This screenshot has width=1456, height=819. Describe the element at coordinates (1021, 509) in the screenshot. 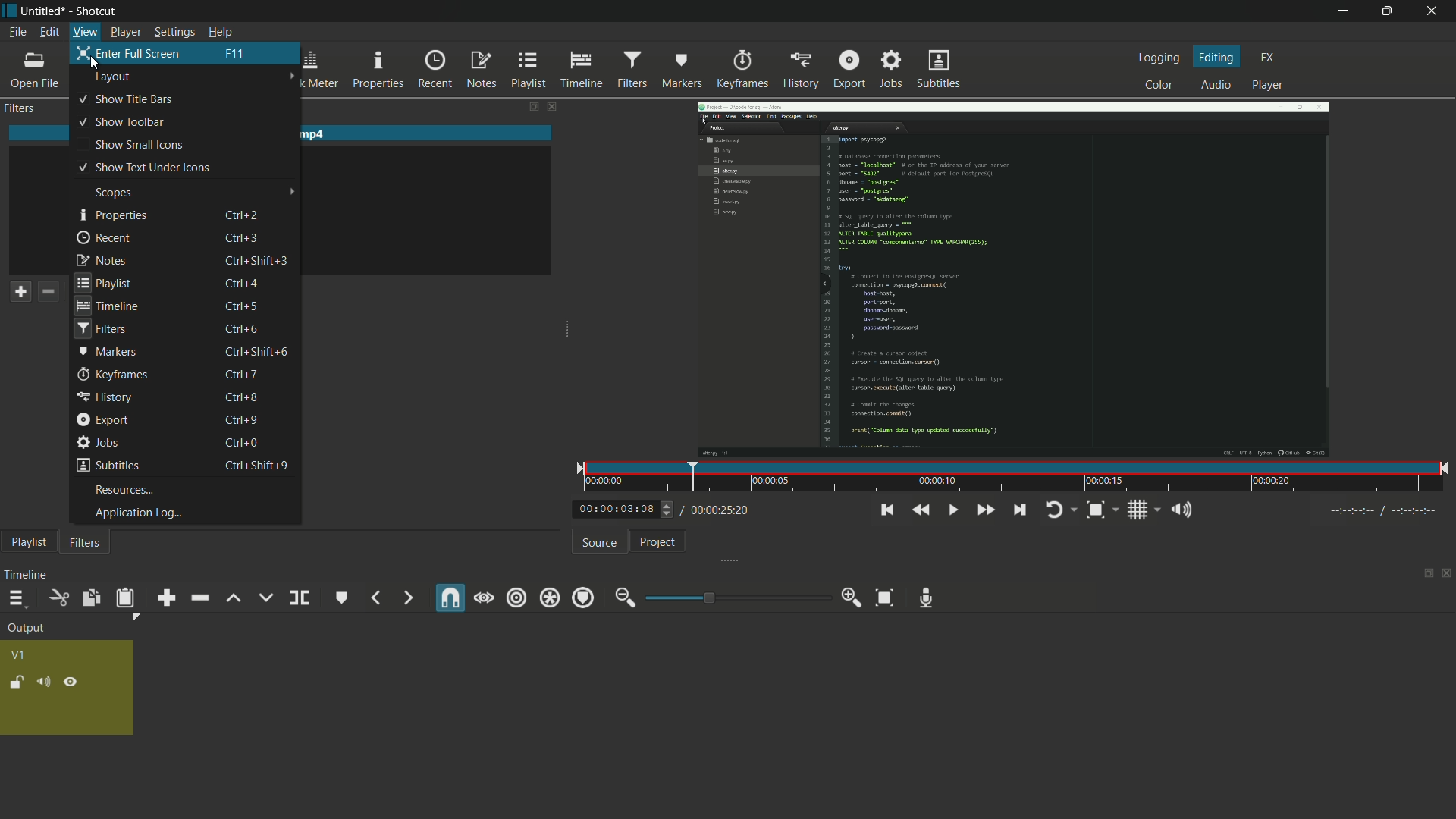

I see `skip to the next point` at that location.